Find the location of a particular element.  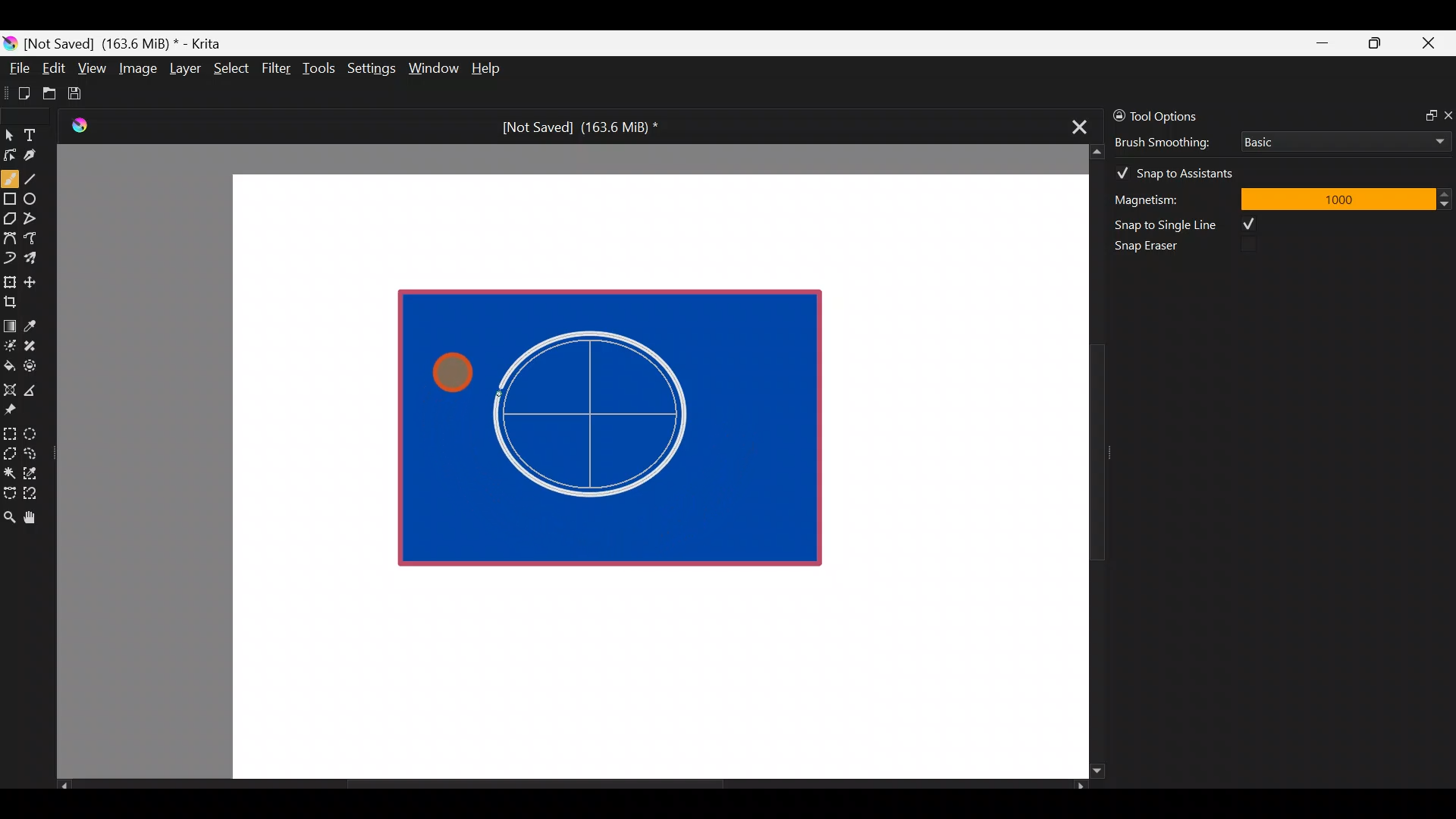

Lock/unlock docker is located at coordinates (1116, 113).